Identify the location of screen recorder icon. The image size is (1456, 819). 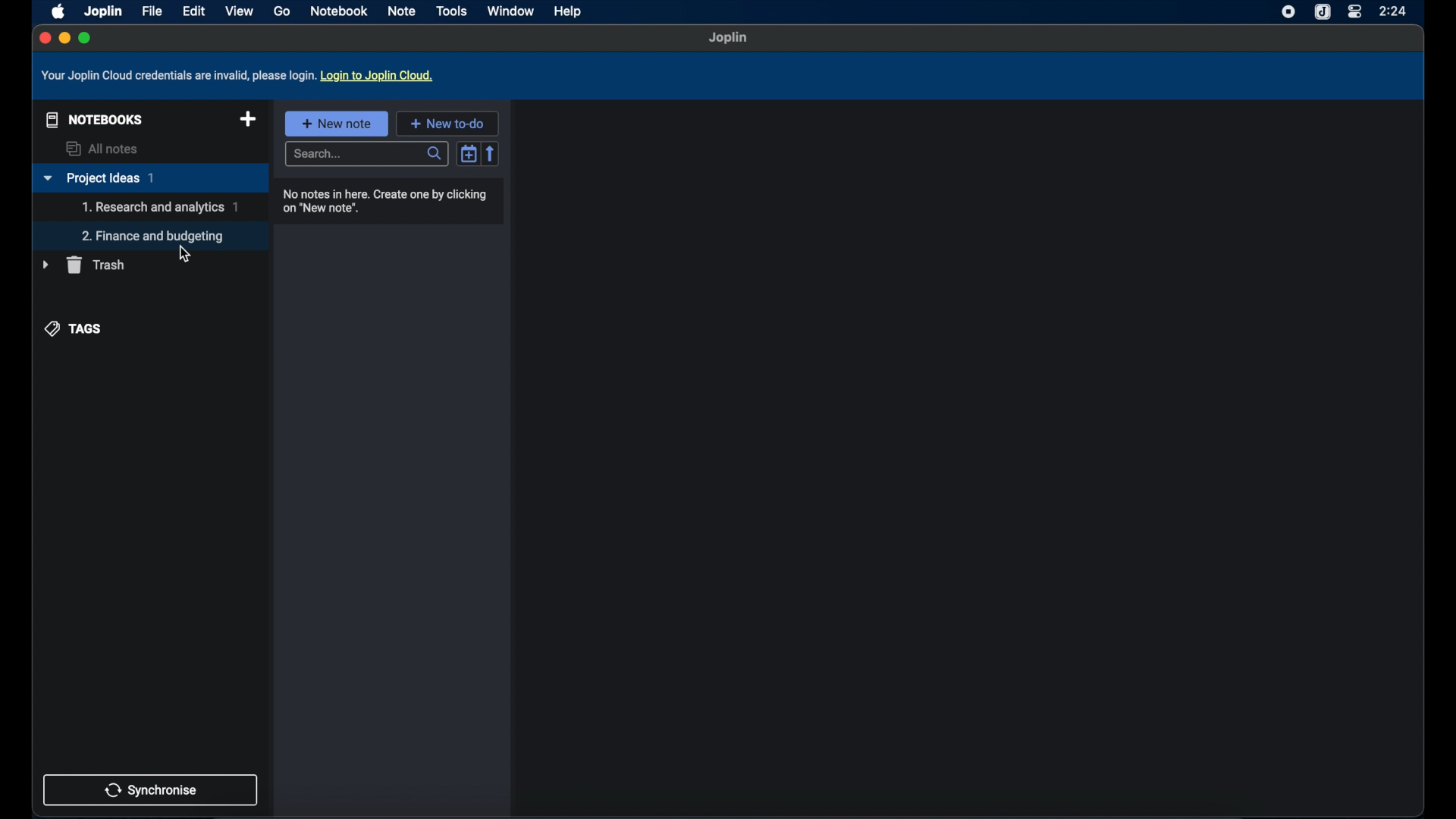
(1285, 12).